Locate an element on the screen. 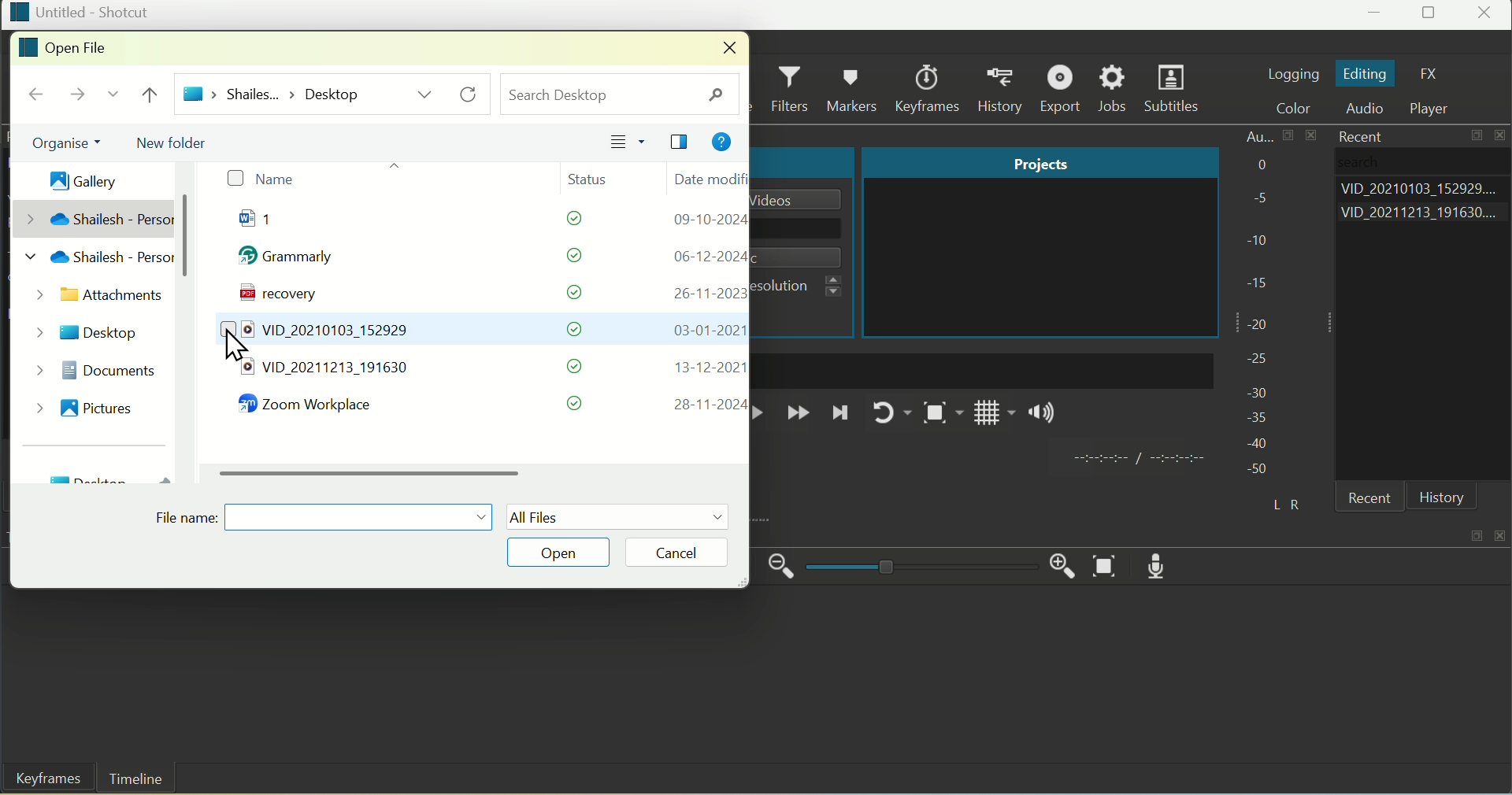 This screenshot has height=795, width=1512. Markers is located at coordinates (855, 87).